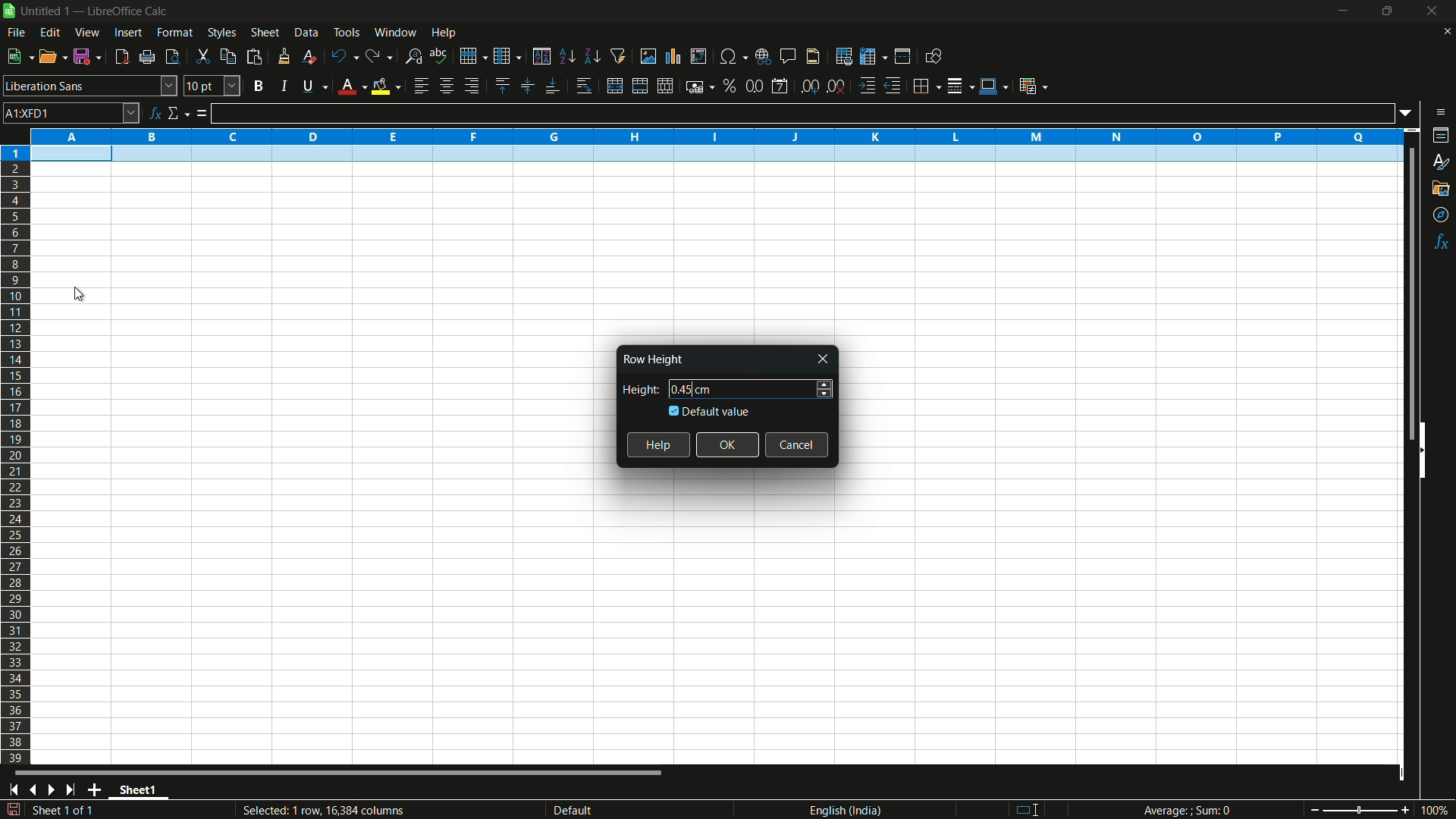  I want to click on gallery, so click(1442, 188).